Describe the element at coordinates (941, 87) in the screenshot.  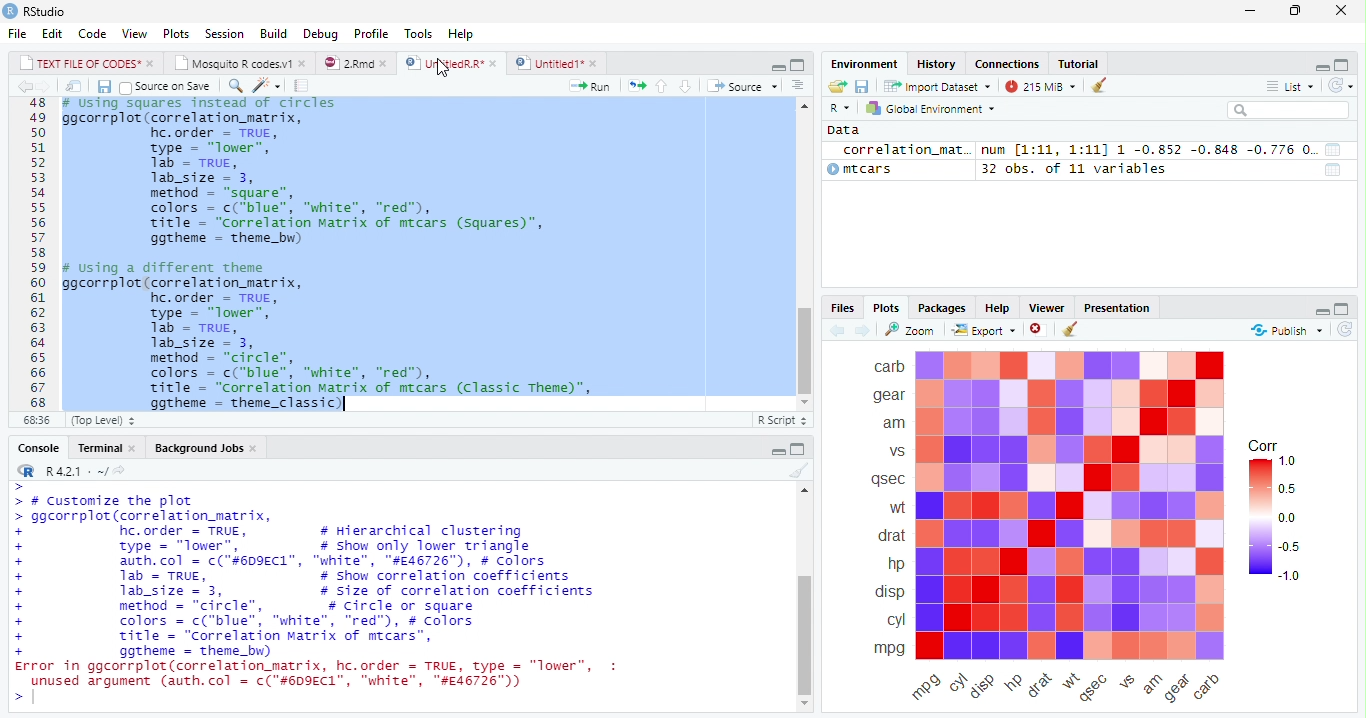
I see `imoort Dataset ~` at that location.